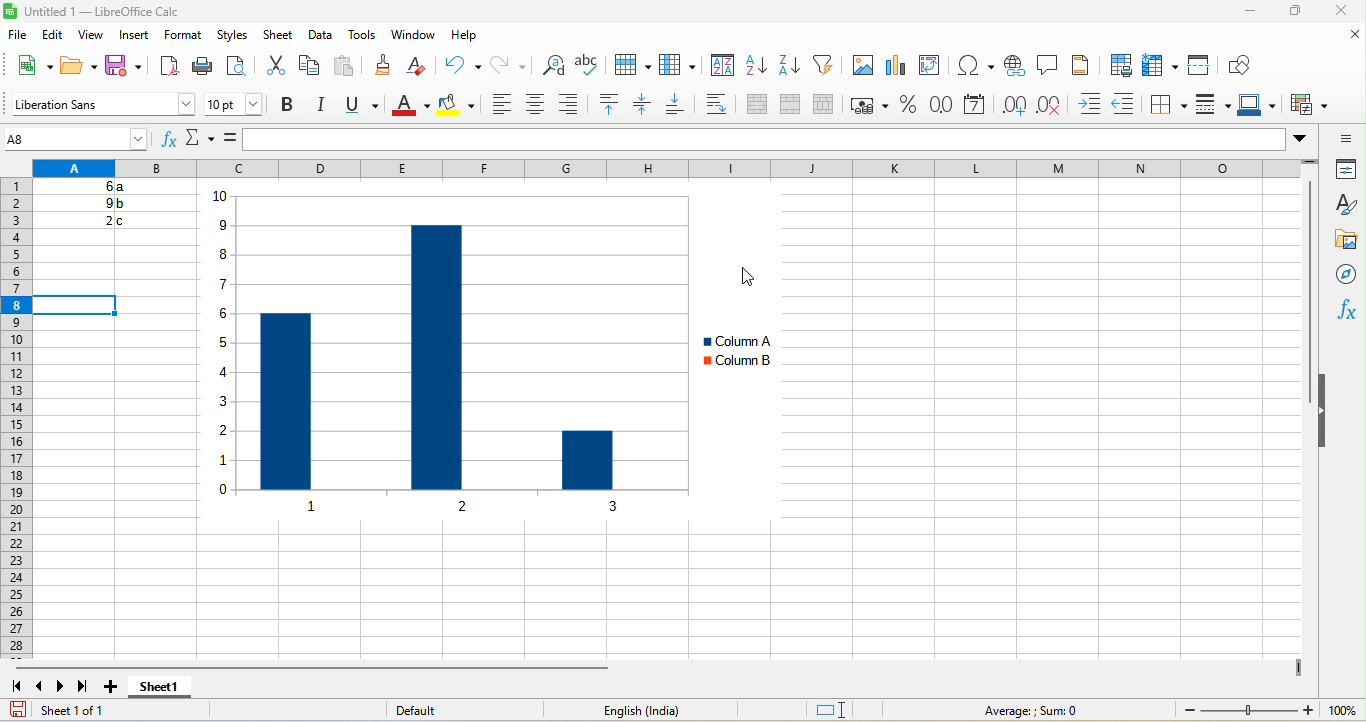 The height and width of the screenshot is (722, 1366). I want to click on add new sheet, so click(115, 687).